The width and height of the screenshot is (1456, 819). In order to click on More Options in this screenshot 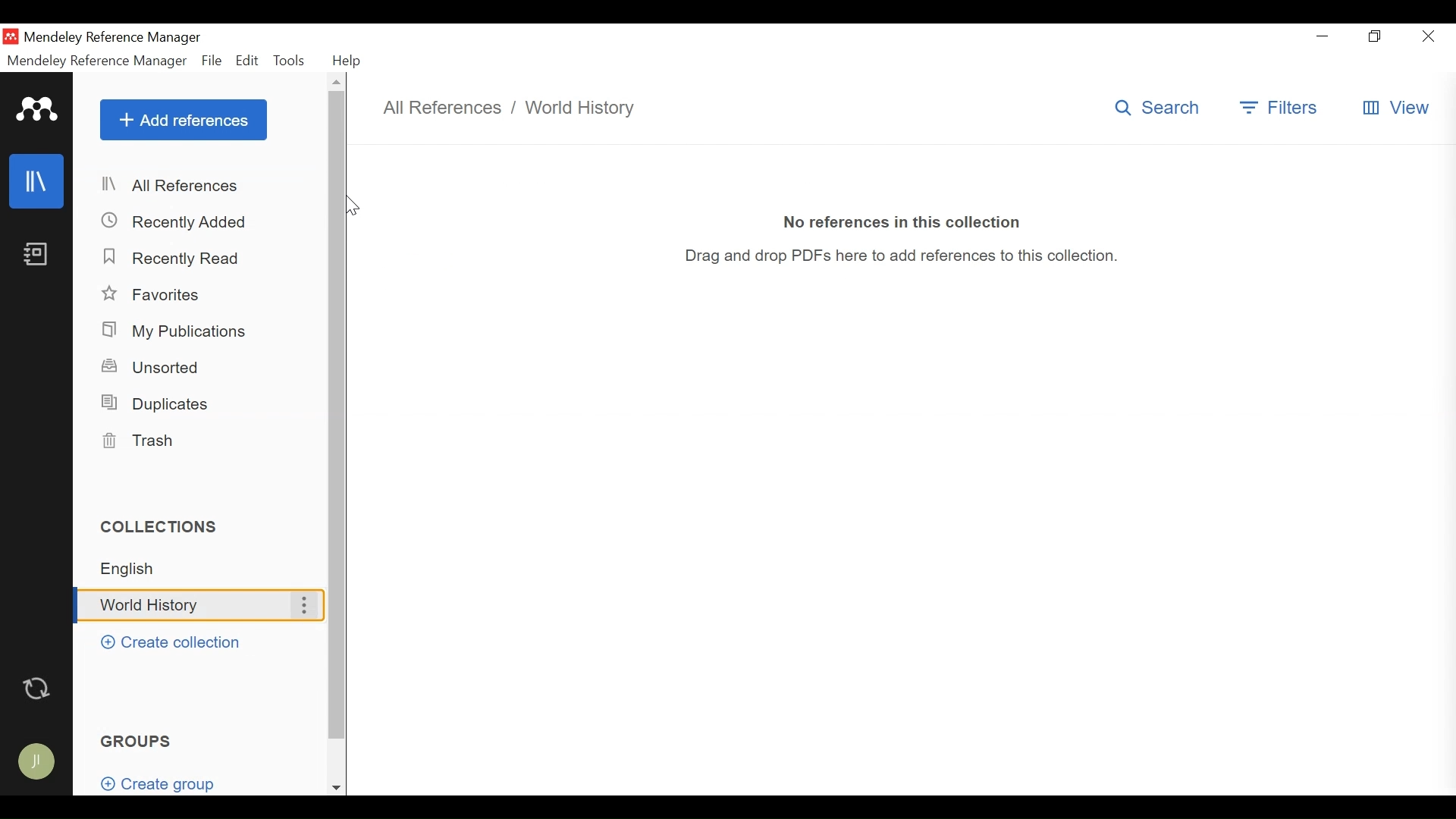, I will do `click(303, 605)`.